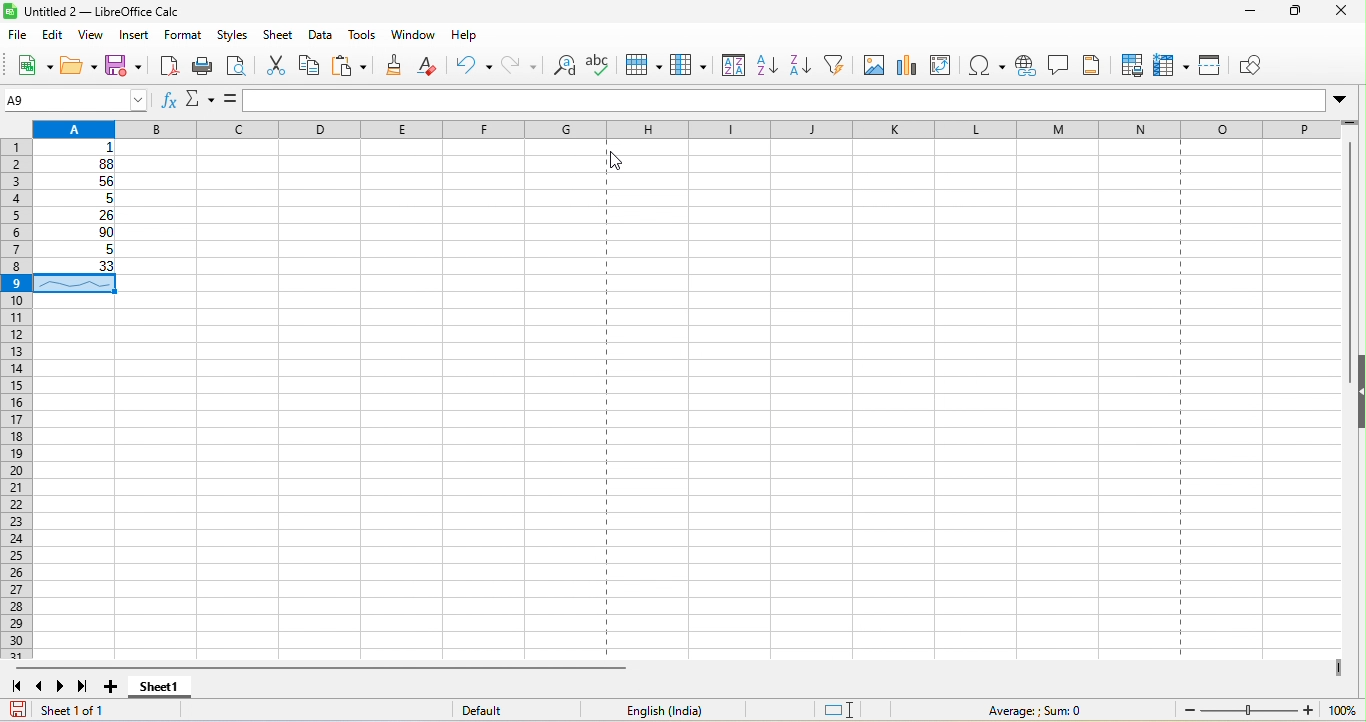 The height and width of the screenshot is (722, 1366). What do you see at coordinates (172, 68) in the screenshot?
I see `export directly as pdf` at bounding box center [172, 68].